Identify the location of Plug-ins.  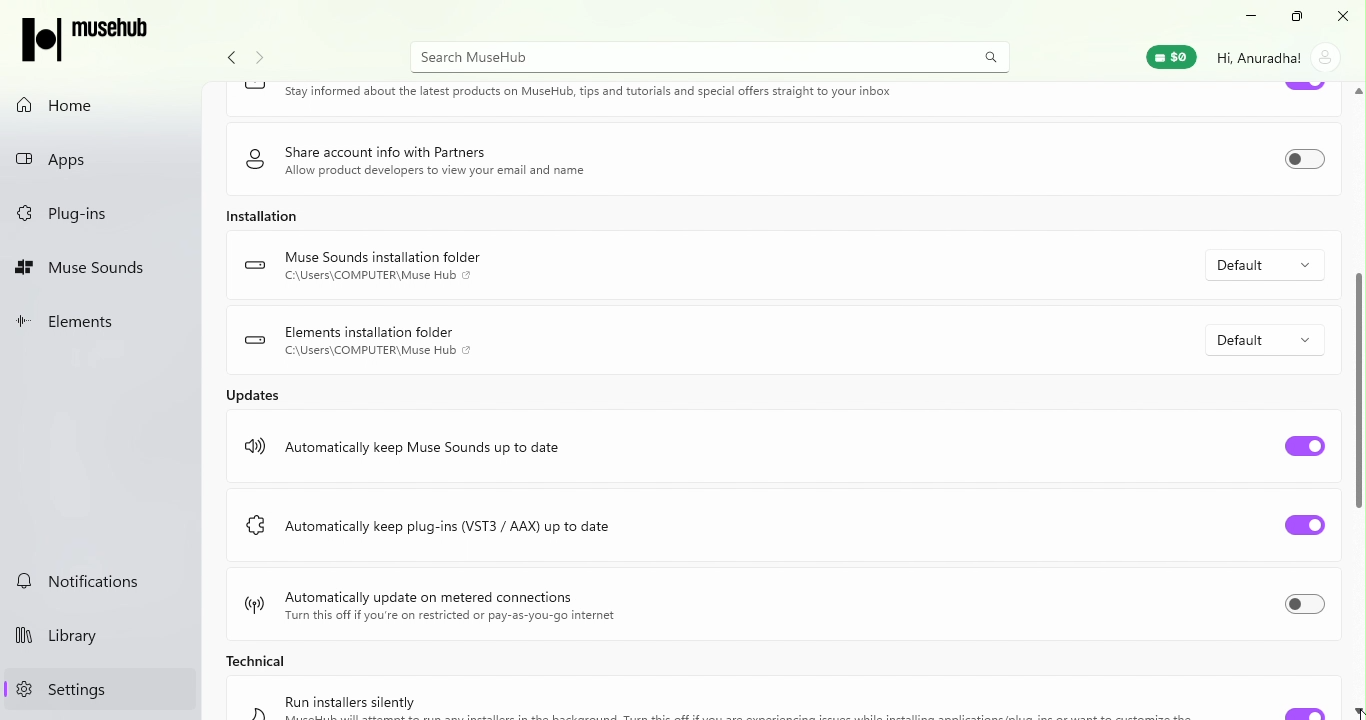
(95, 214).